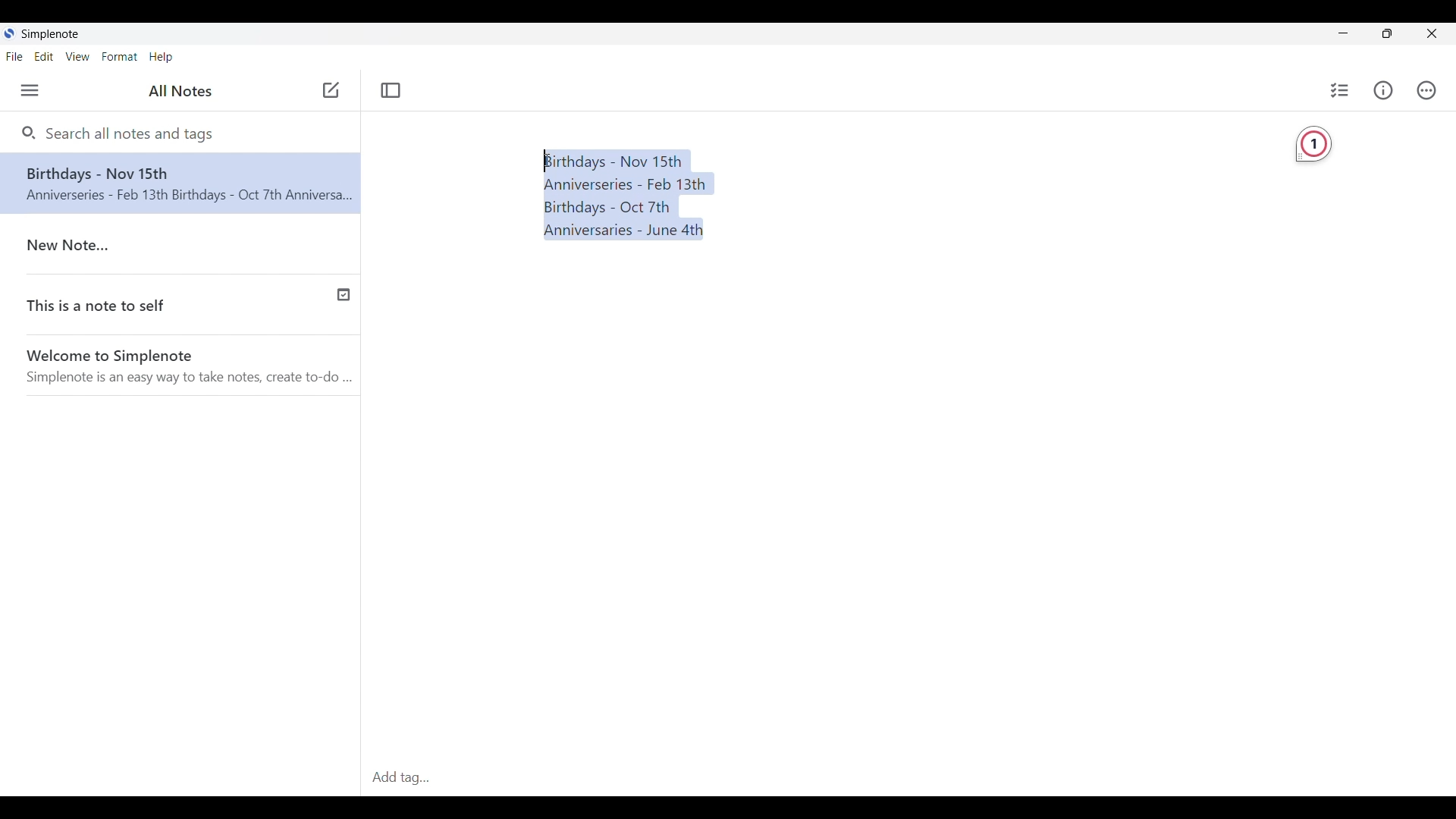 Image resolution: width=1456 pixels, height=819 pixels. Describe the element at coordinates (391, 90) in the screenshot. I see `Toggle focus mode` at that location.